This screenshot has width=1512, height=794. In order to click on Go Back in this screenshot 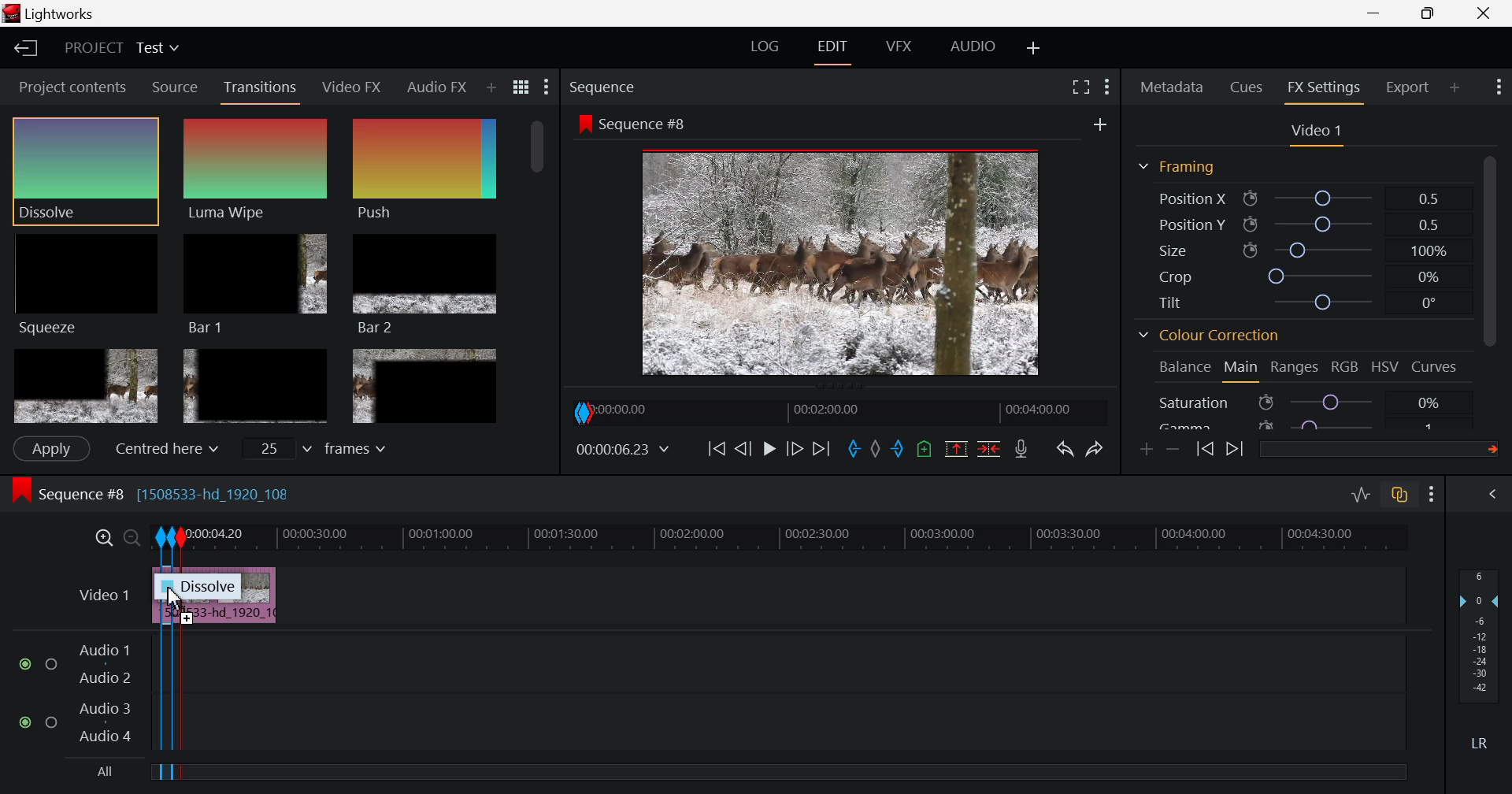, I will do `click(743, 448)`.